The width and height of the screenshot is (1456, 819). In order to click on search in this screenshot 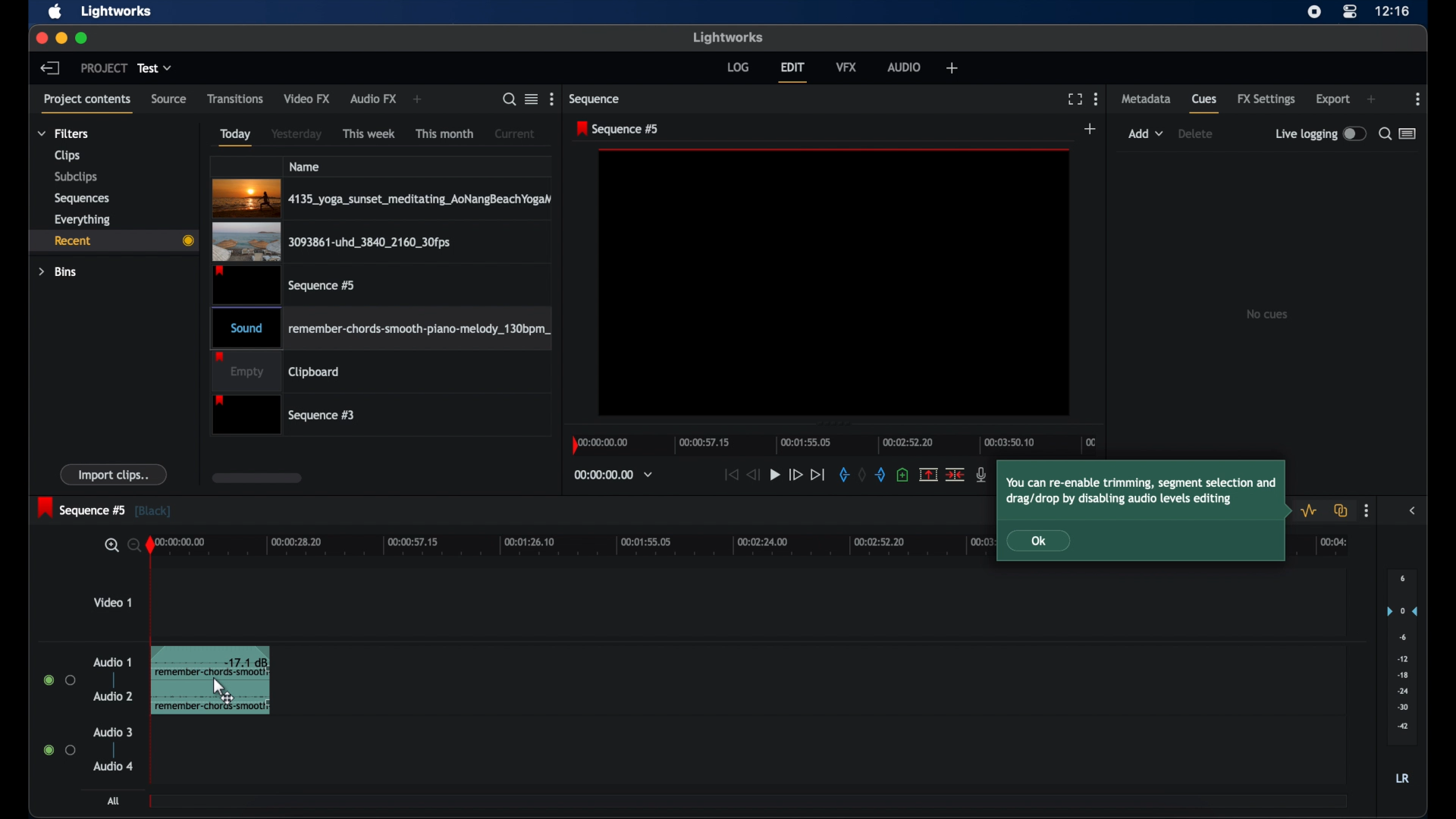, I will do `click(120, 546)`.